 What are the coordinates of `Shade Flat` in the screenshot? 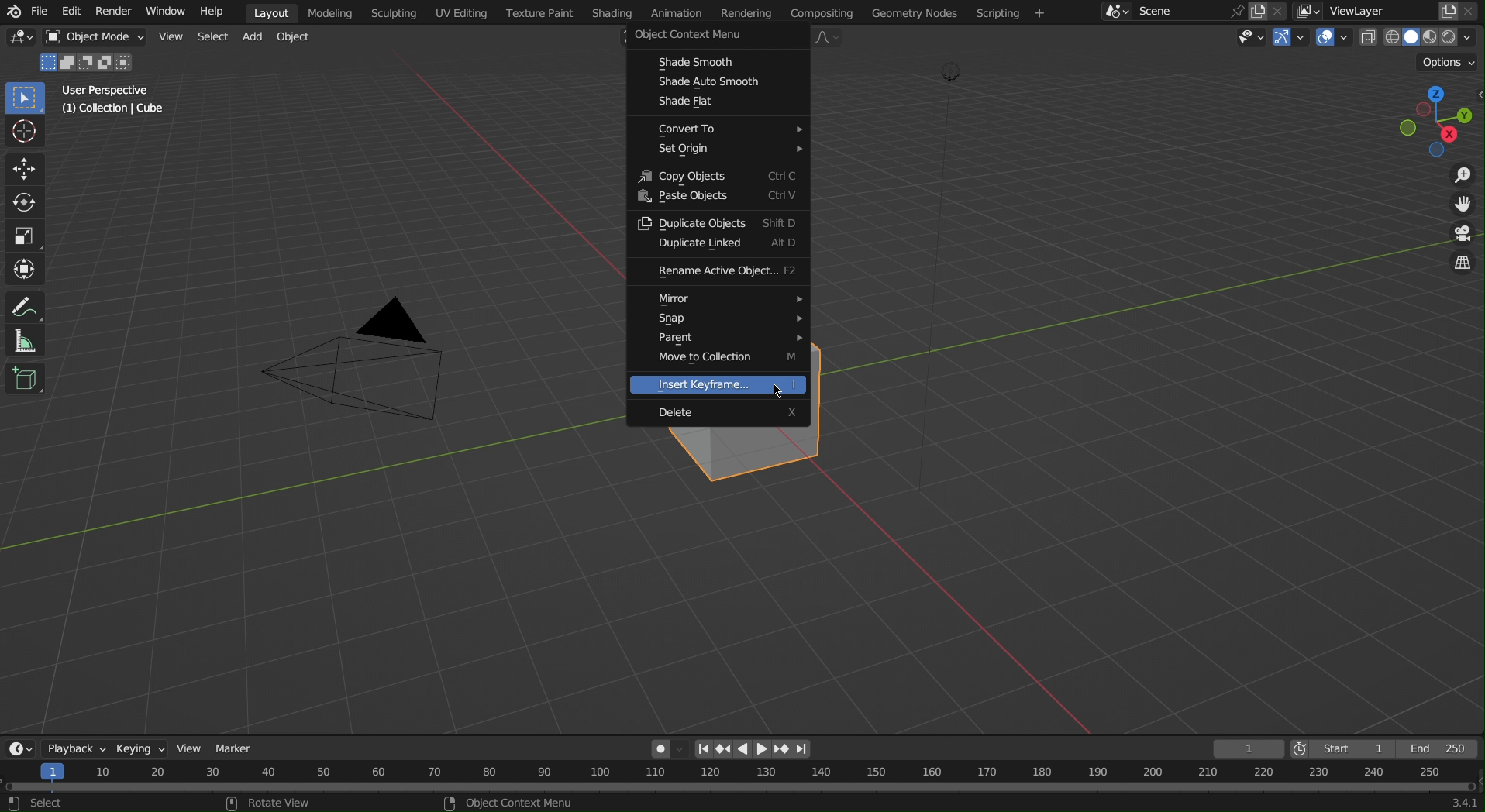 It's located at (718, 105).